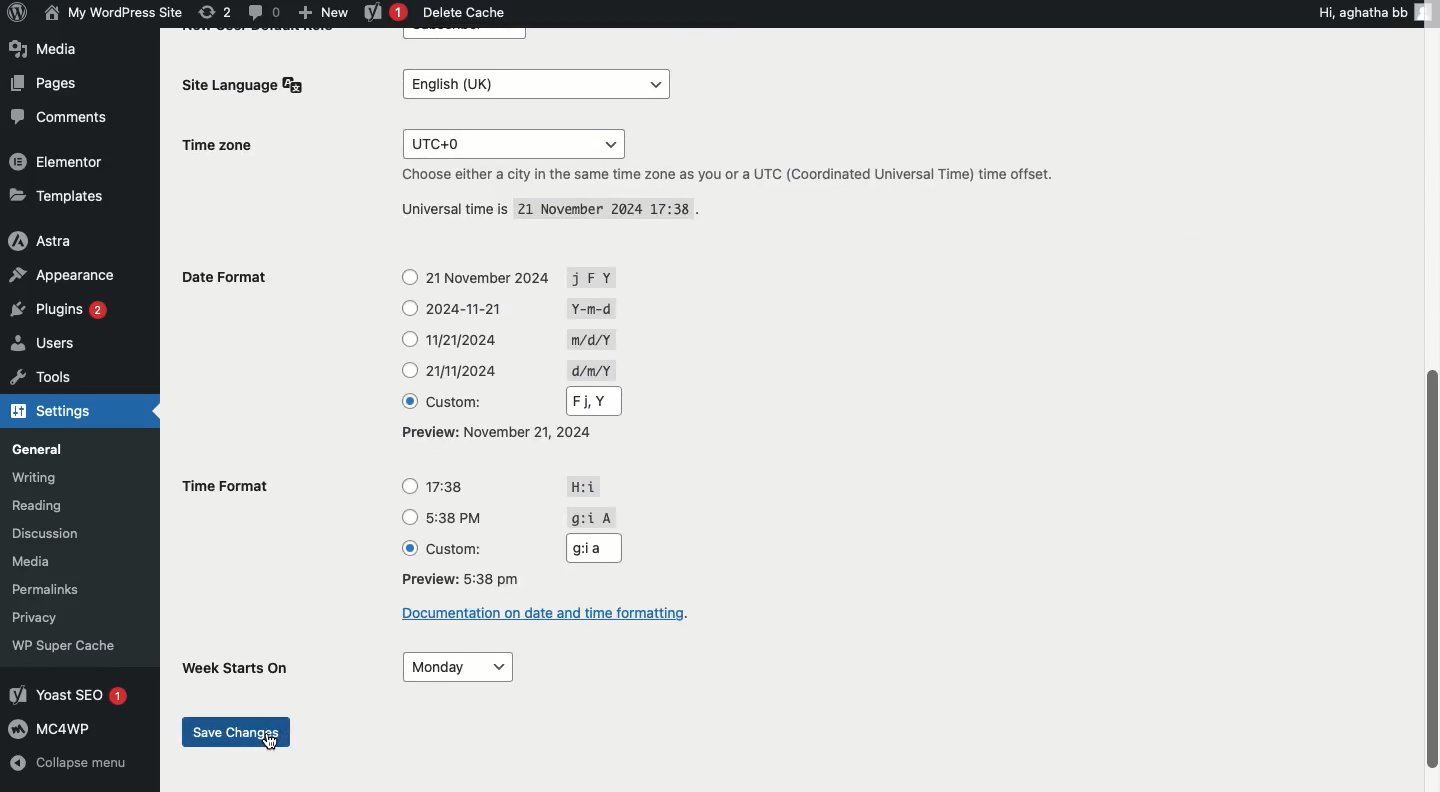 This screenshot has height=792, width=1440. Describe the element at coordinates (461, 664) in the screenshot. I see `Monday  ` at that location.